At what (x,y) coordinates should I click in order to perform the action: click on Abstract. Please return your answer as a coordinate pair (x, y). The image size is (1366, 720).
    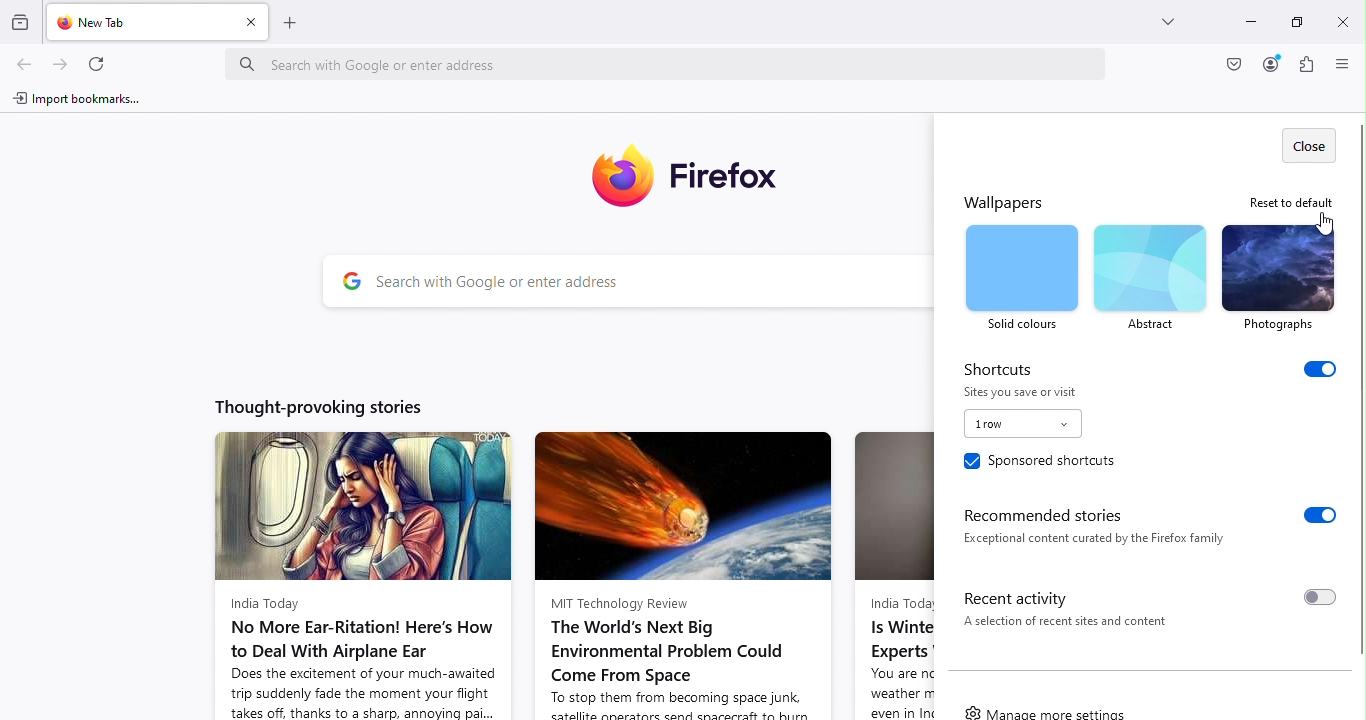
    Looking at the image, I should click on (1150, 277).